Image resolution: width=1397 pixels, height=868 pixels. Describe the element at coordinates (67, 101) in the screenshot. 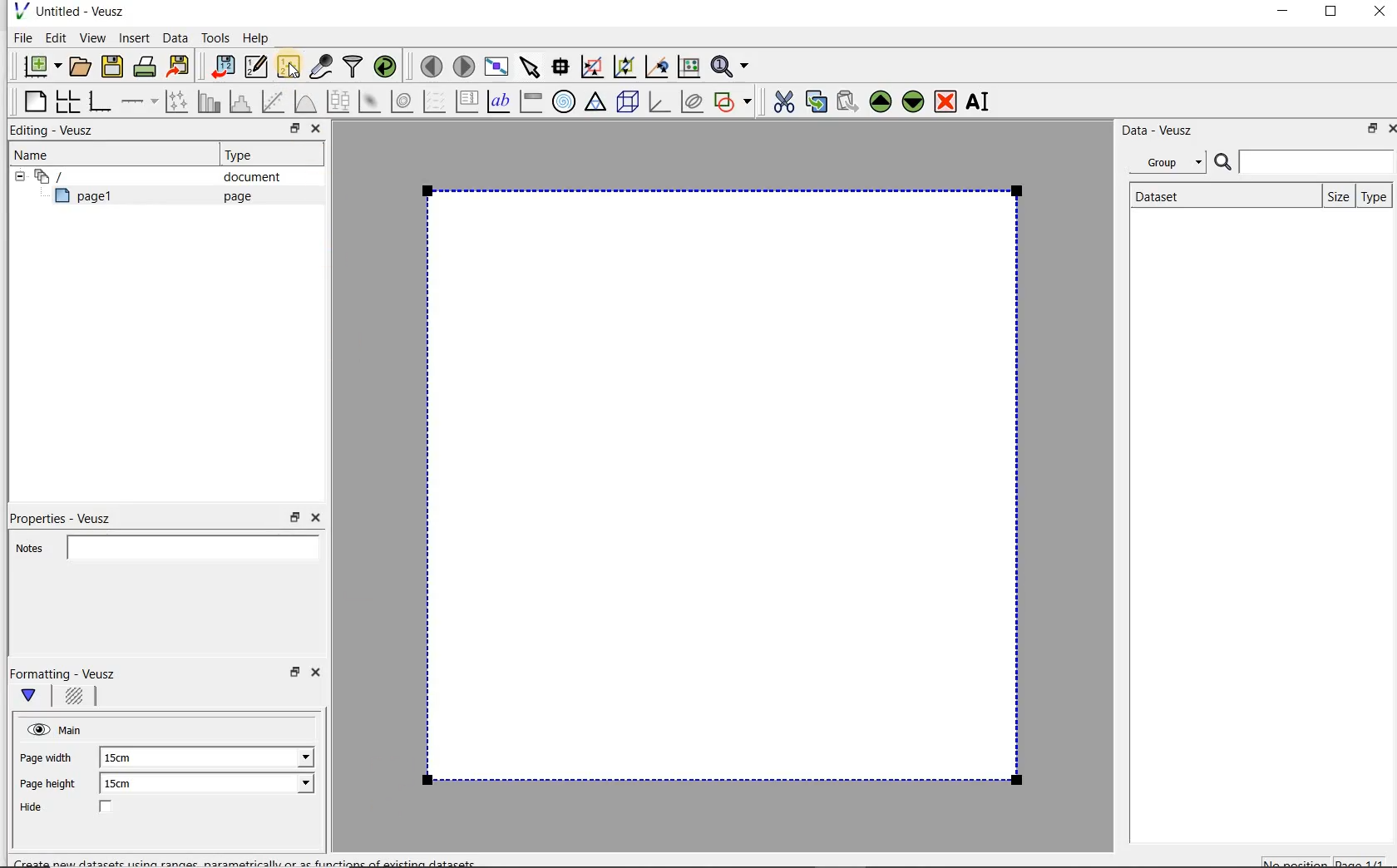

I see `arrange graphs in a grid` at that location.